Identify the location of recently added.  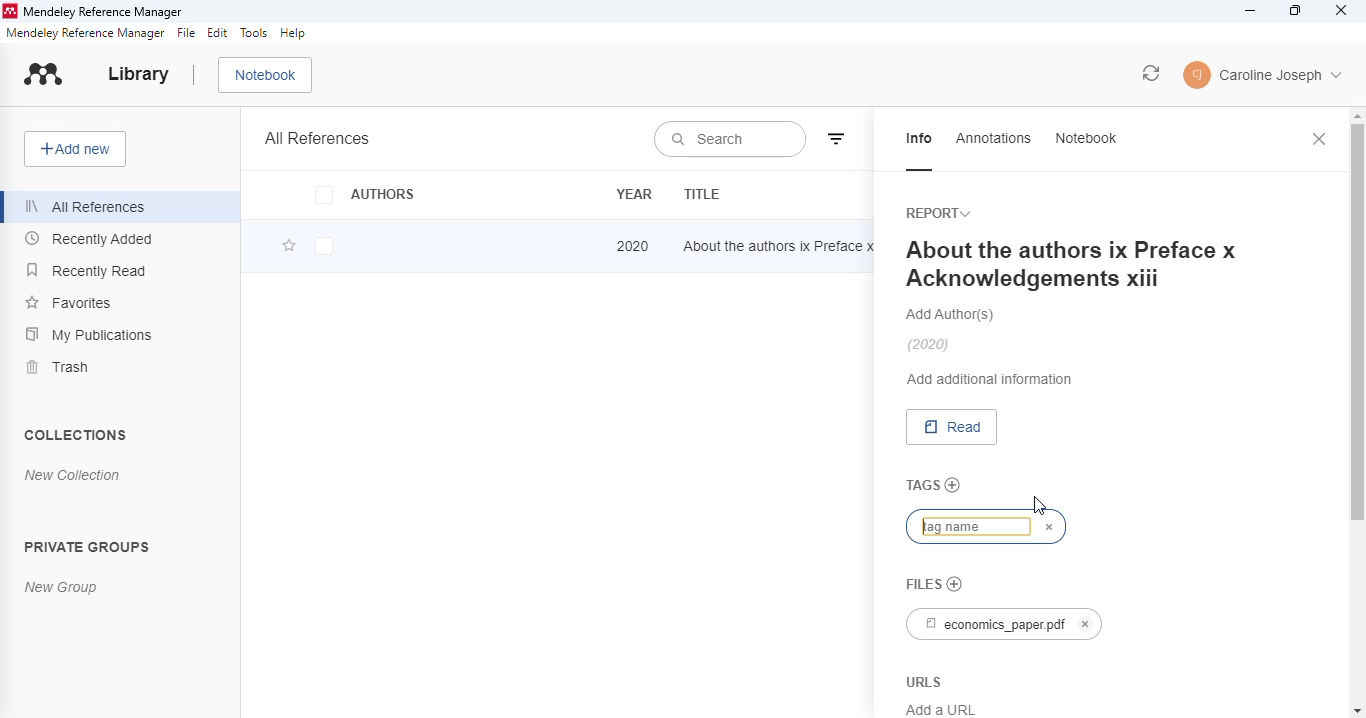
(91, 239).